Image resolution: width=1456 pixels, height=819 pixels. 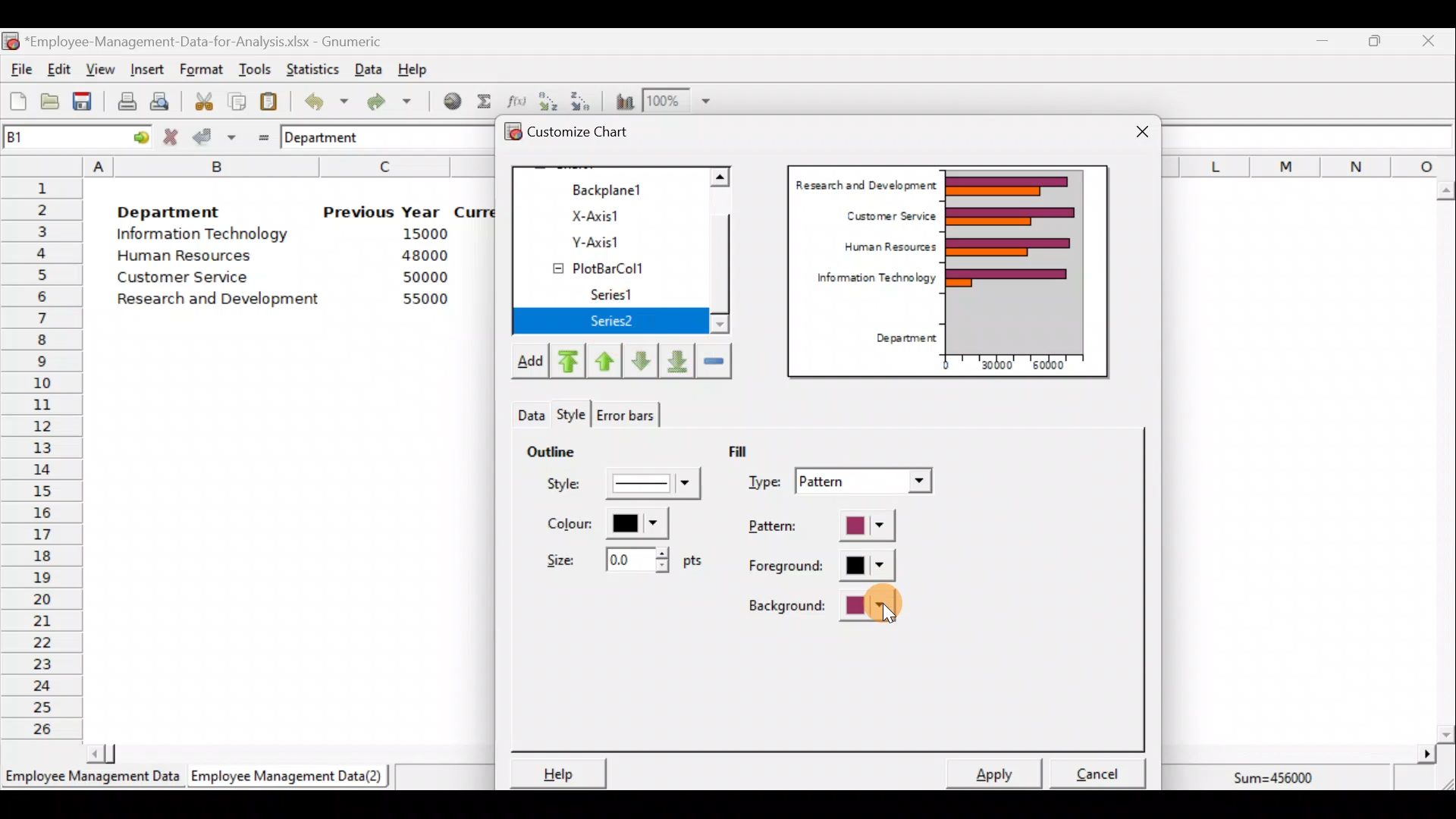 What do you see at coordinates (1103, 769) in the screenshot?
I see `Cancel` at bounding box center [1103, 769].